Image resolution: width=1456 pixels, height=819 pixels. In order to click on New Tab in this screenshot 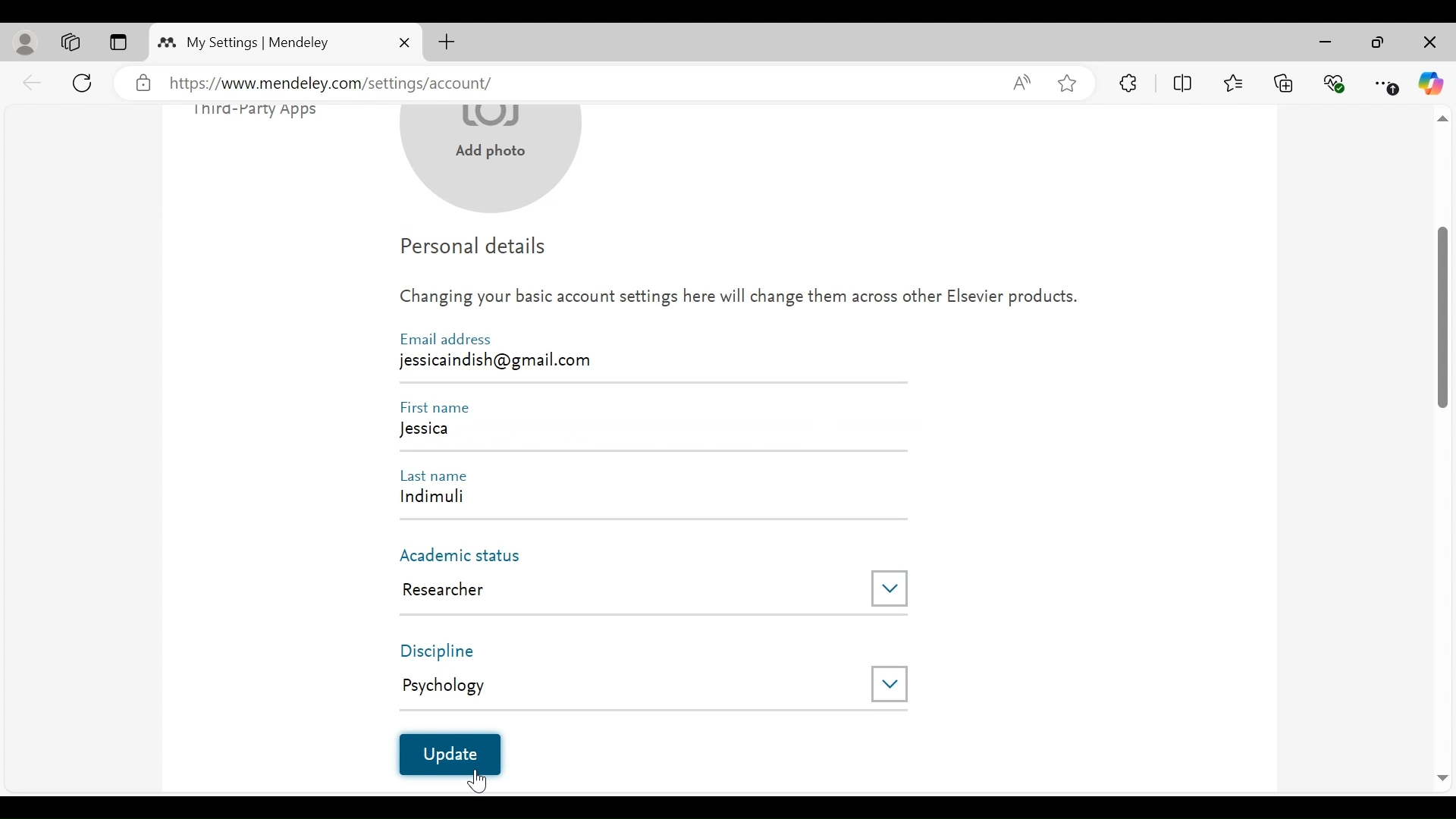, I will do `click(447, 42)`.